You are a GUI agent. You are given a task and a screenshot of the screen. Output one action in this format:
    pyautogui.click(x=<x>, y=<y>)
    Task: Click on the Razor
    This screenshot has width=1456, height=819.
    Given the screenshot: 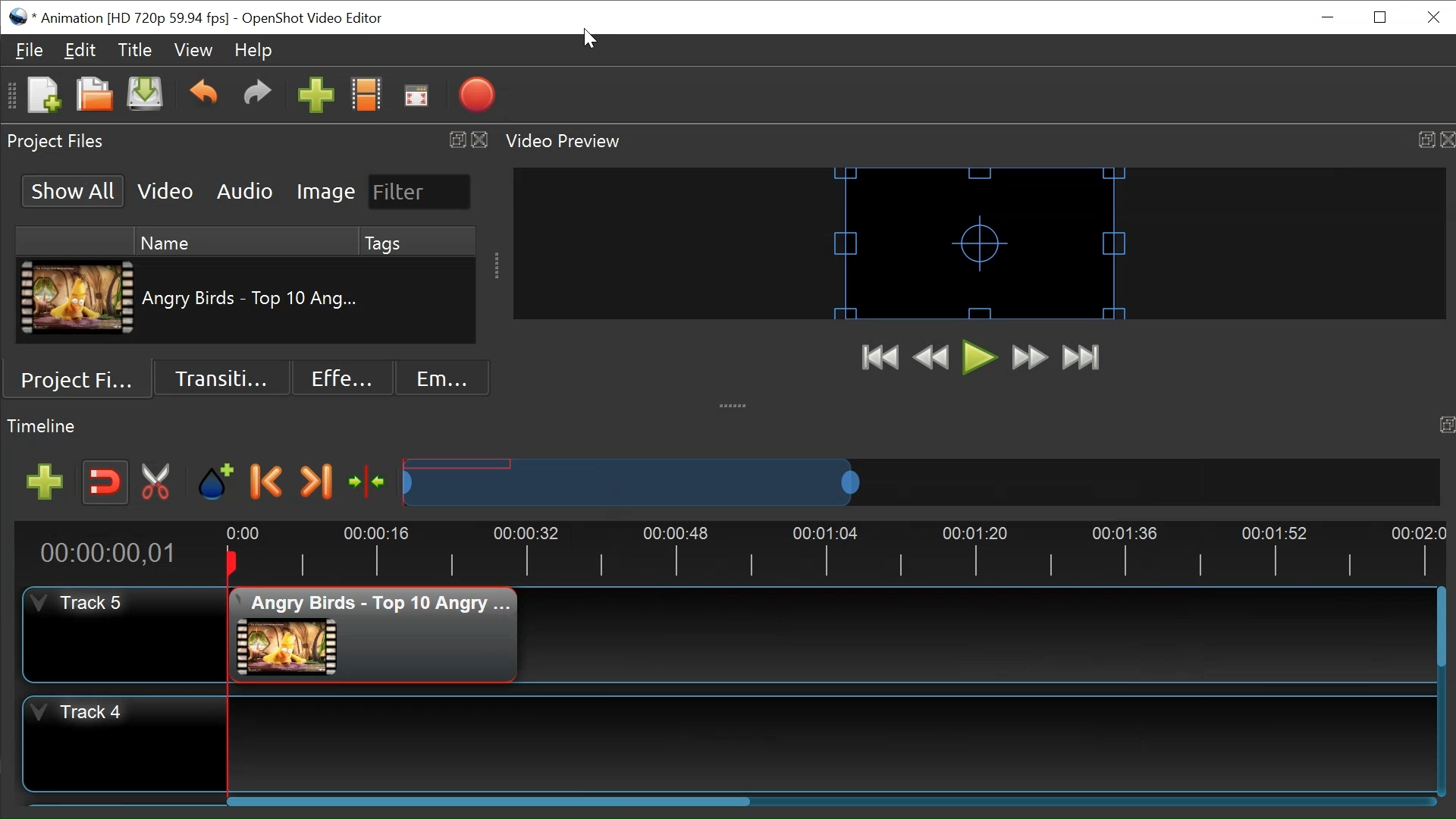 What is the action you would take?
    pyautogui.click(x=158, y=481)
    